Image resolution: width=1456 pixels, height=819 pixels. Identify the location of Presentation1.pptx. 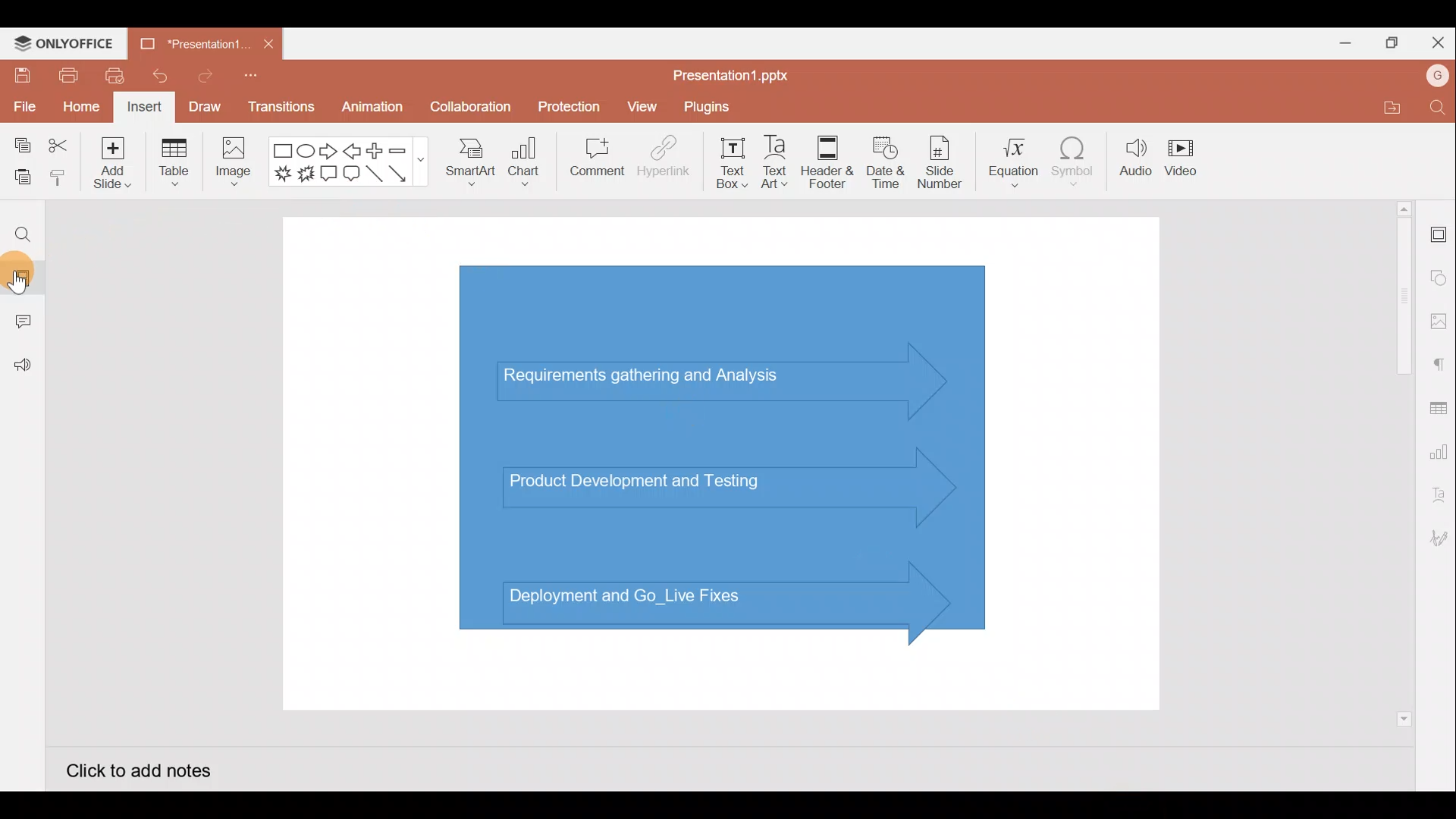
(739, 75).